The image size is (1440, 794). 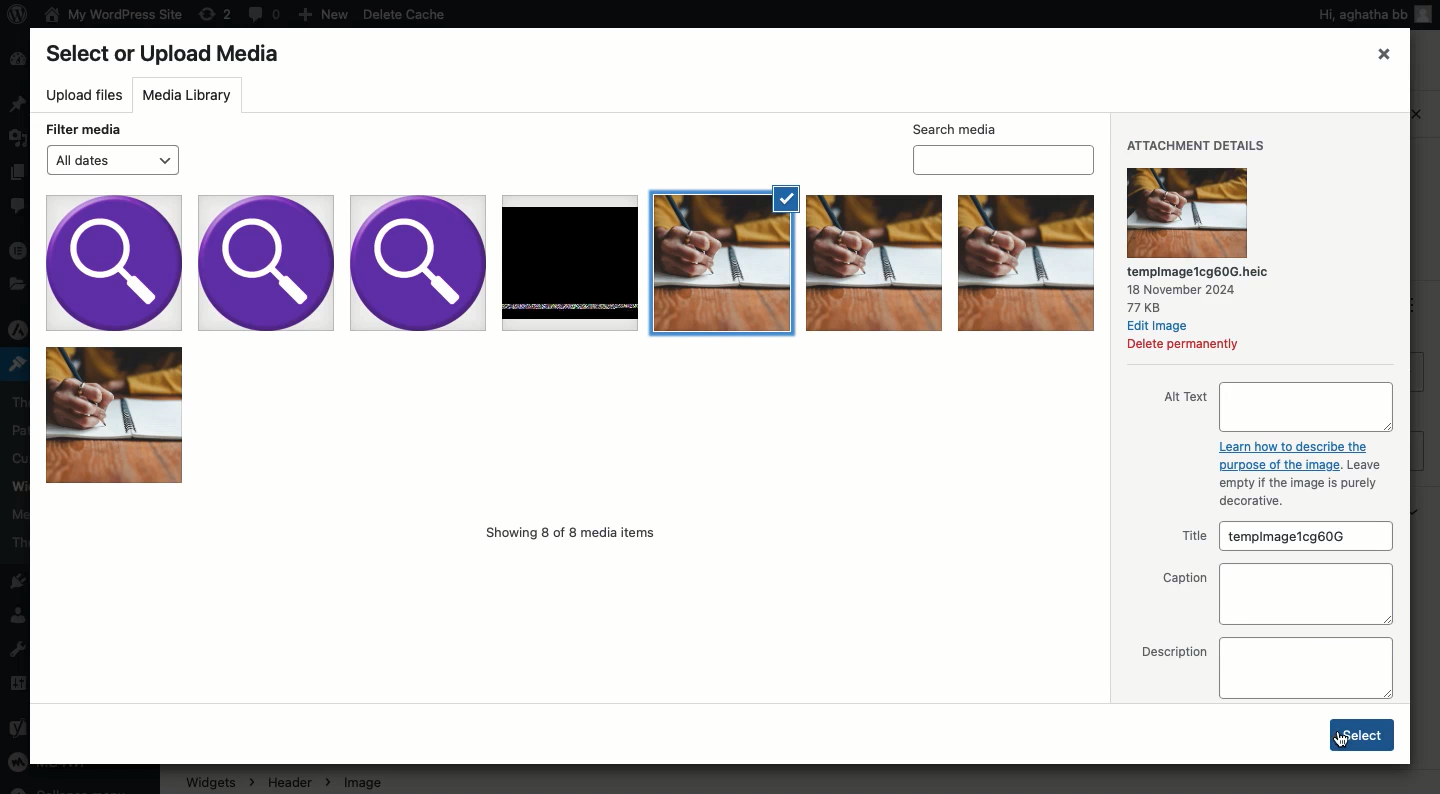 What do you see at coordinates (1205, 289) in the screenshot?
I see `Details` at bounding box center [1205, 289].